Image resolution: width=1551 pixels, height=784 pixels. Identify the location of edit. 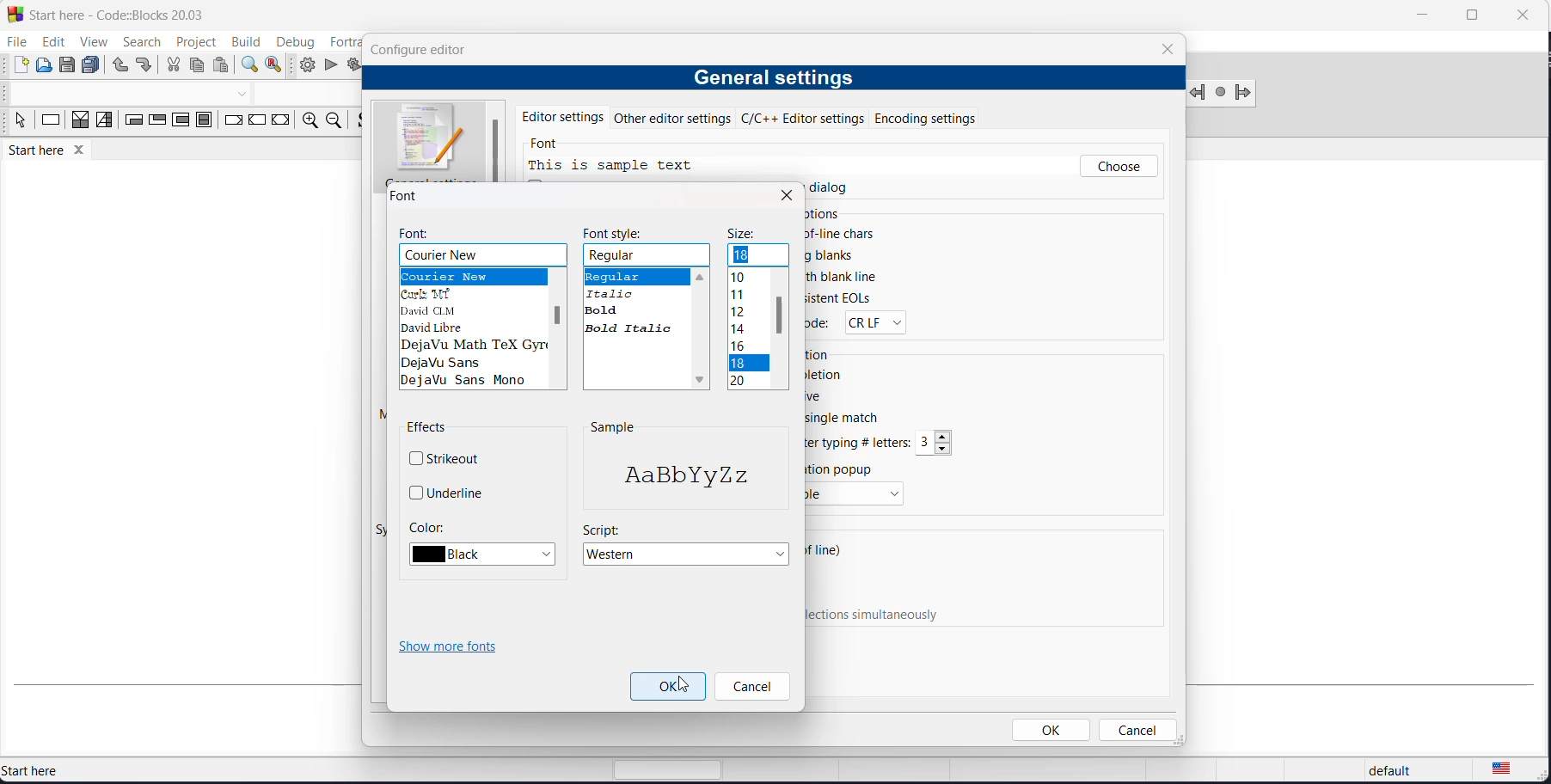
(50, 42).